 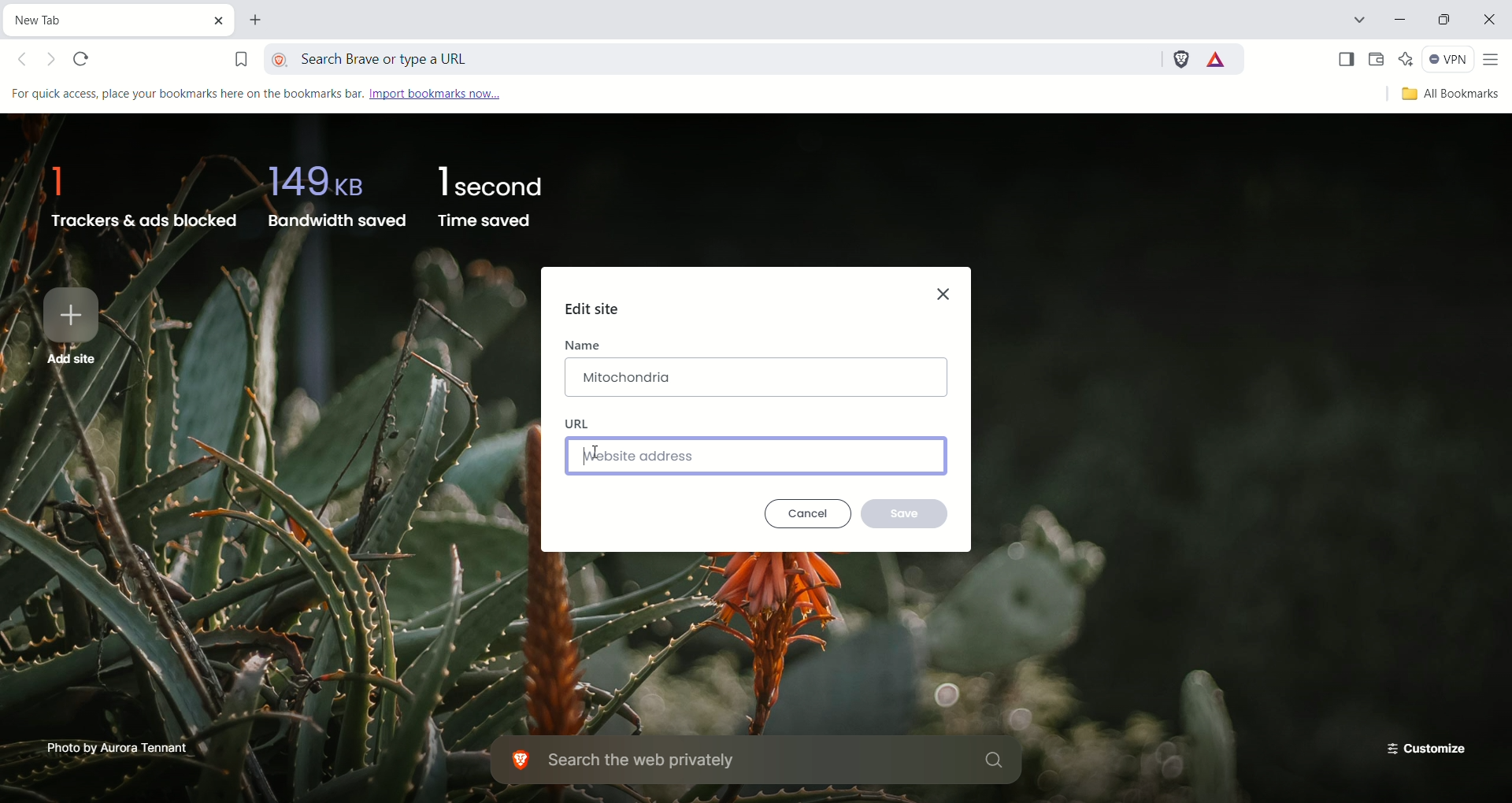 I want to click on URL, so click(x=577, y=424).